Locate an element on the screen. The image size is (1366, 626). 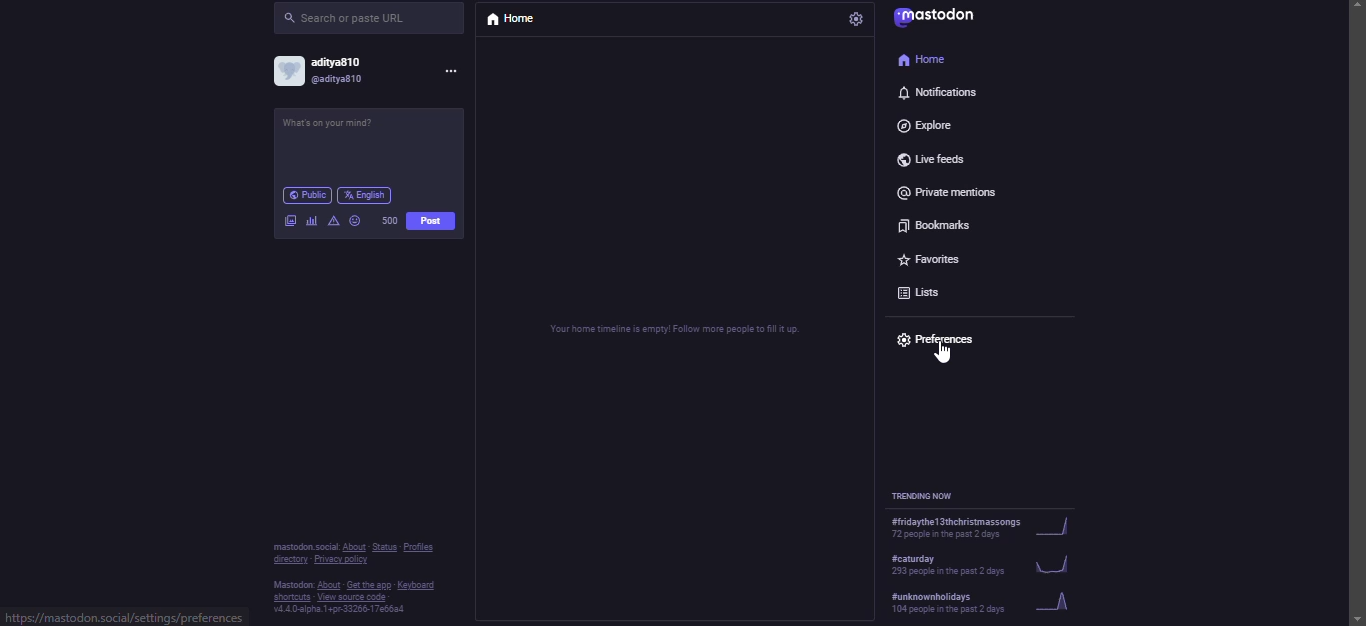
live feeds is located at coordinates (931, 156).